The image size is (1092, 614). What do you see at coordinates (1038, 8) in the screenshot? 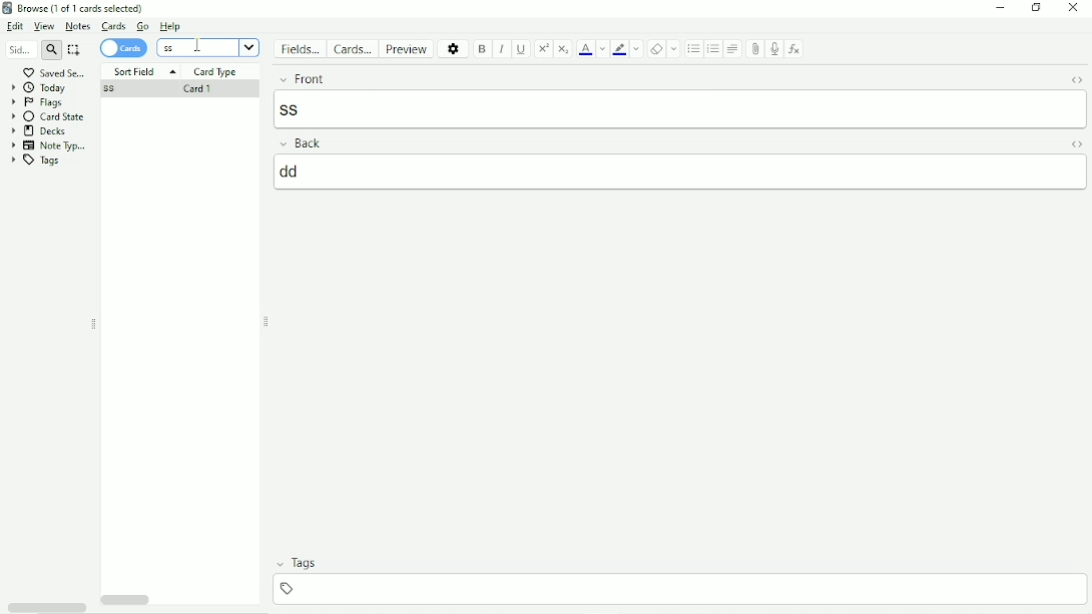
I see `Restore down` at bounding box center [1038, 8].